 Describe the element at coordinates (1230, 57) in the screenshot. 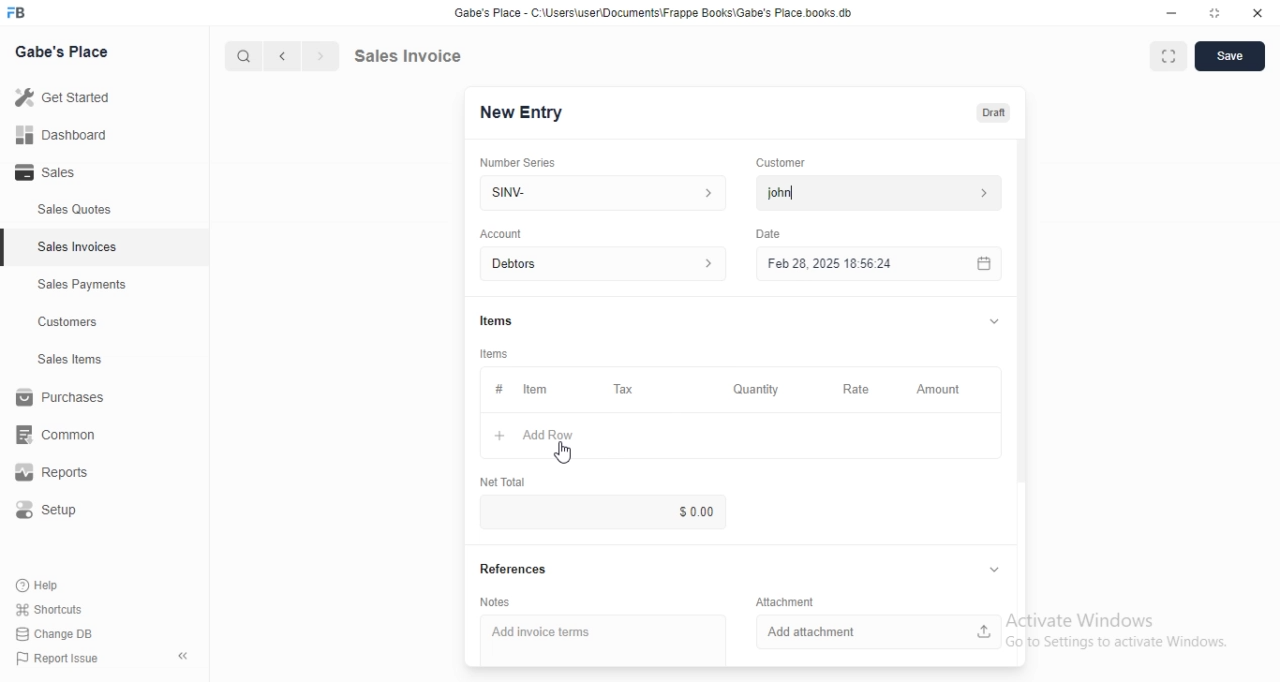

I see `Save` at that location.